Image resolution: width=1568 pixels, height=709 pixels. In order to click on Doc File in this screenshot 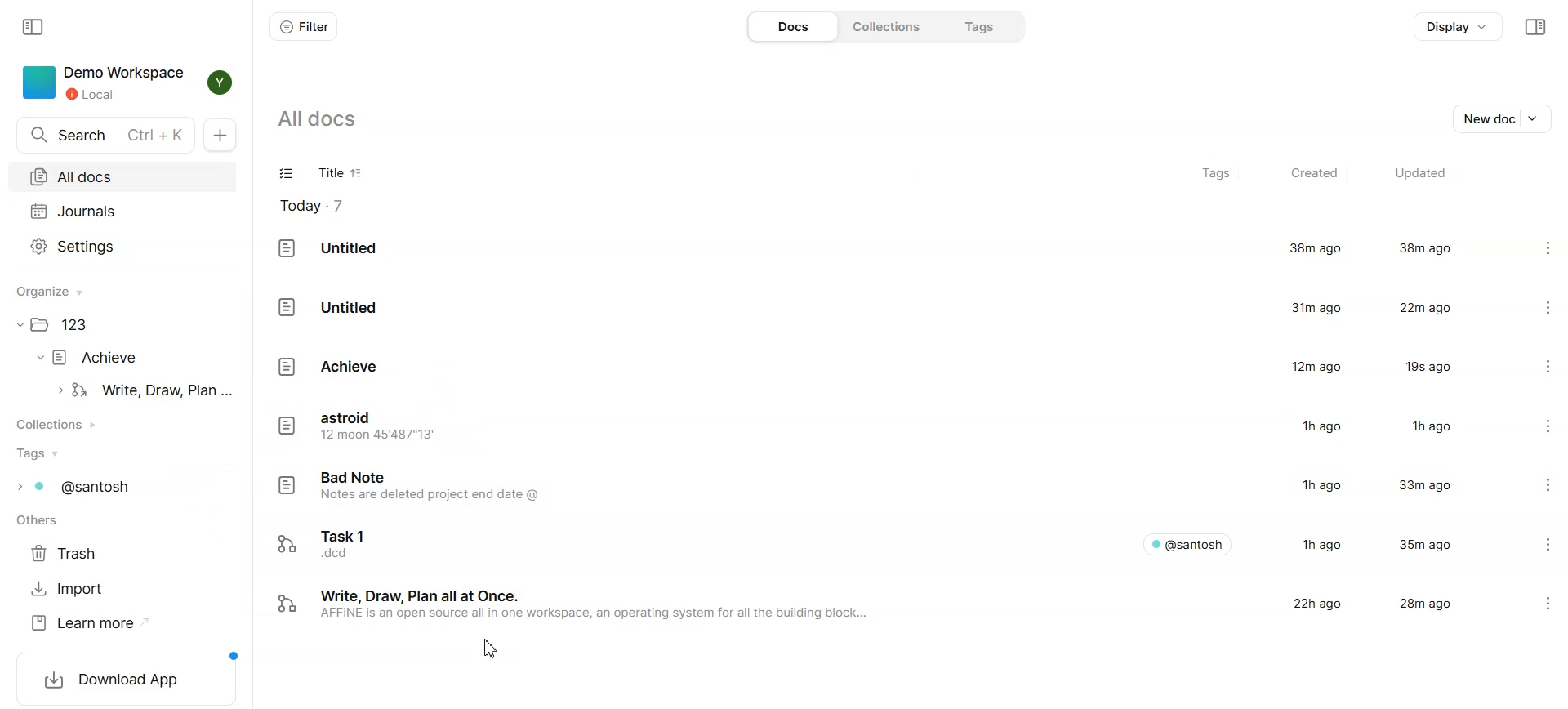, I will do `click(877, 605)`.